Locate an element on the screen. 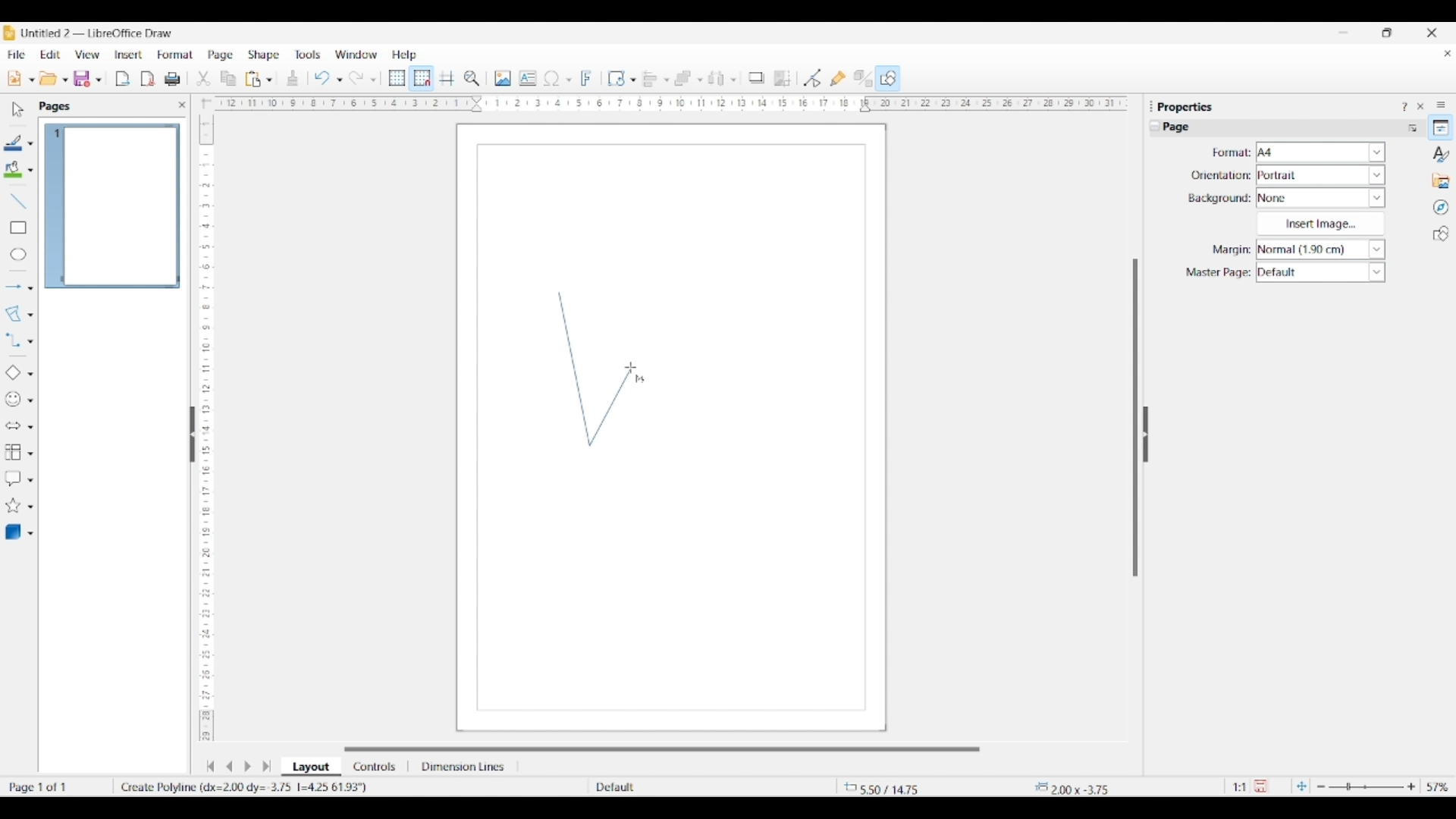  Line and arrow options is located at coordinates (30, 288).